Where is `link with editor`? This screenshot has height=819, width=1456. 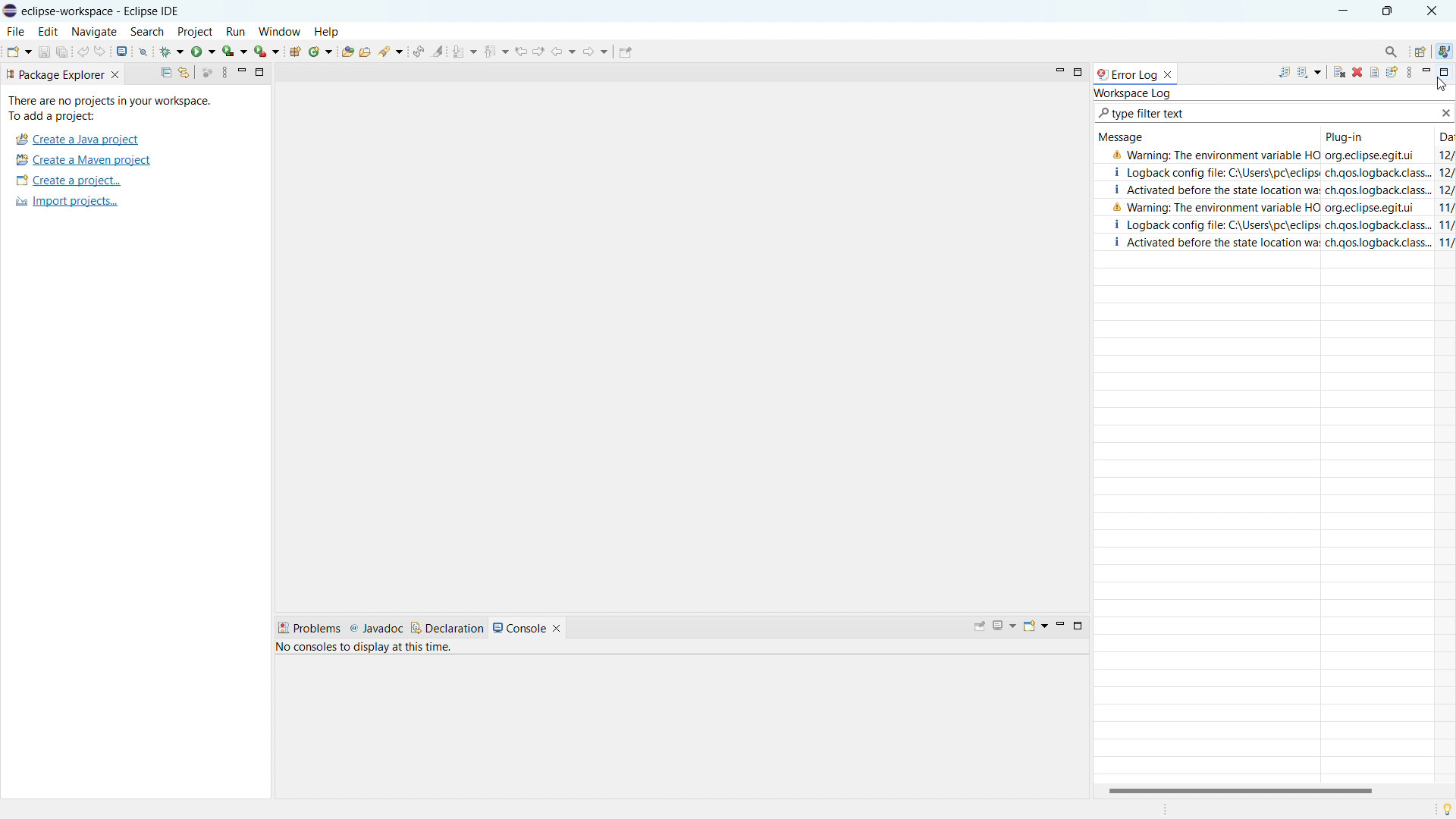 link with editor is located at coordinates (184, 73).